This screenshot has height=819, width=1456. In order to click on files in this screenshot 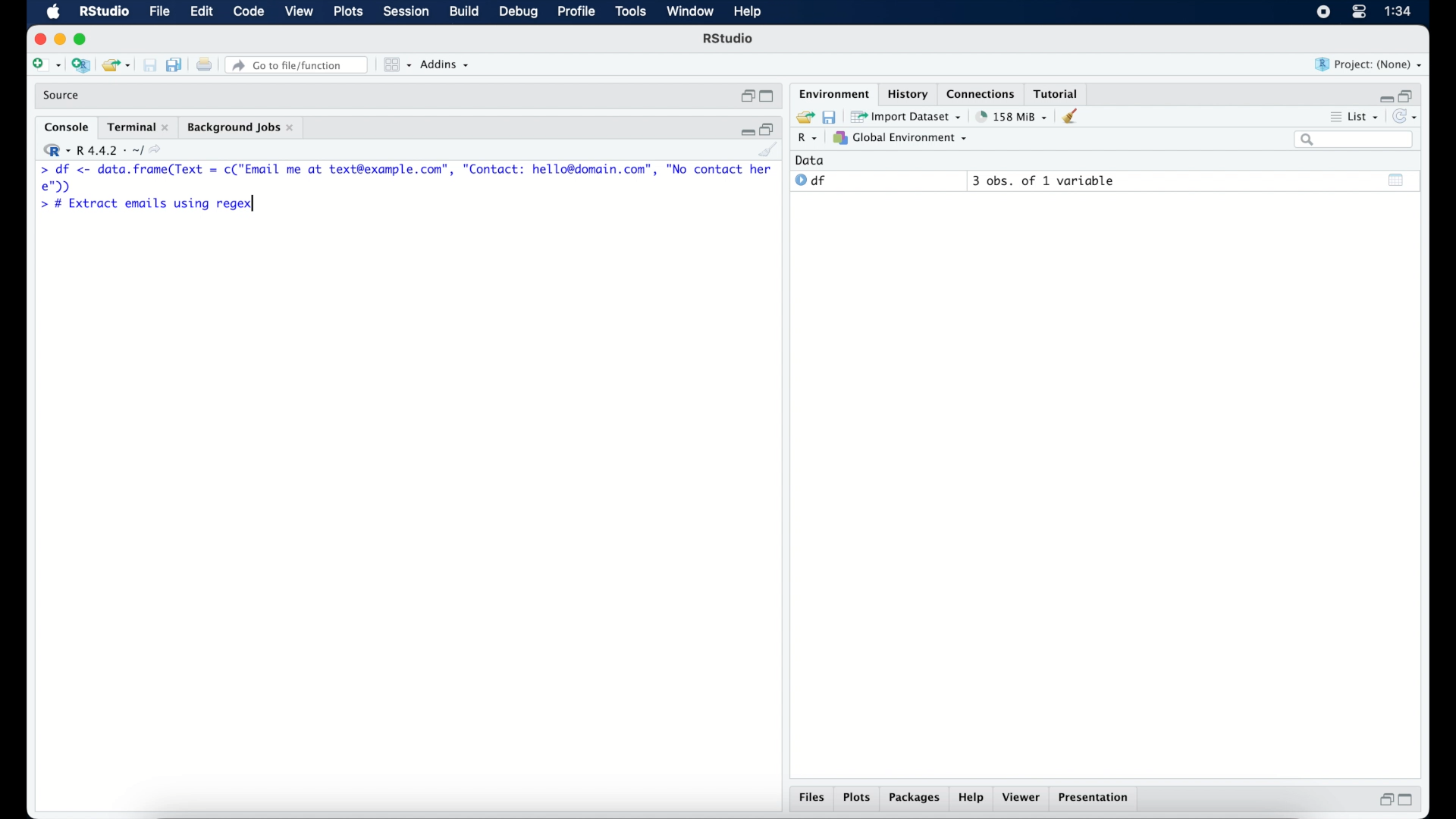, I will do `click(810, 797)`.